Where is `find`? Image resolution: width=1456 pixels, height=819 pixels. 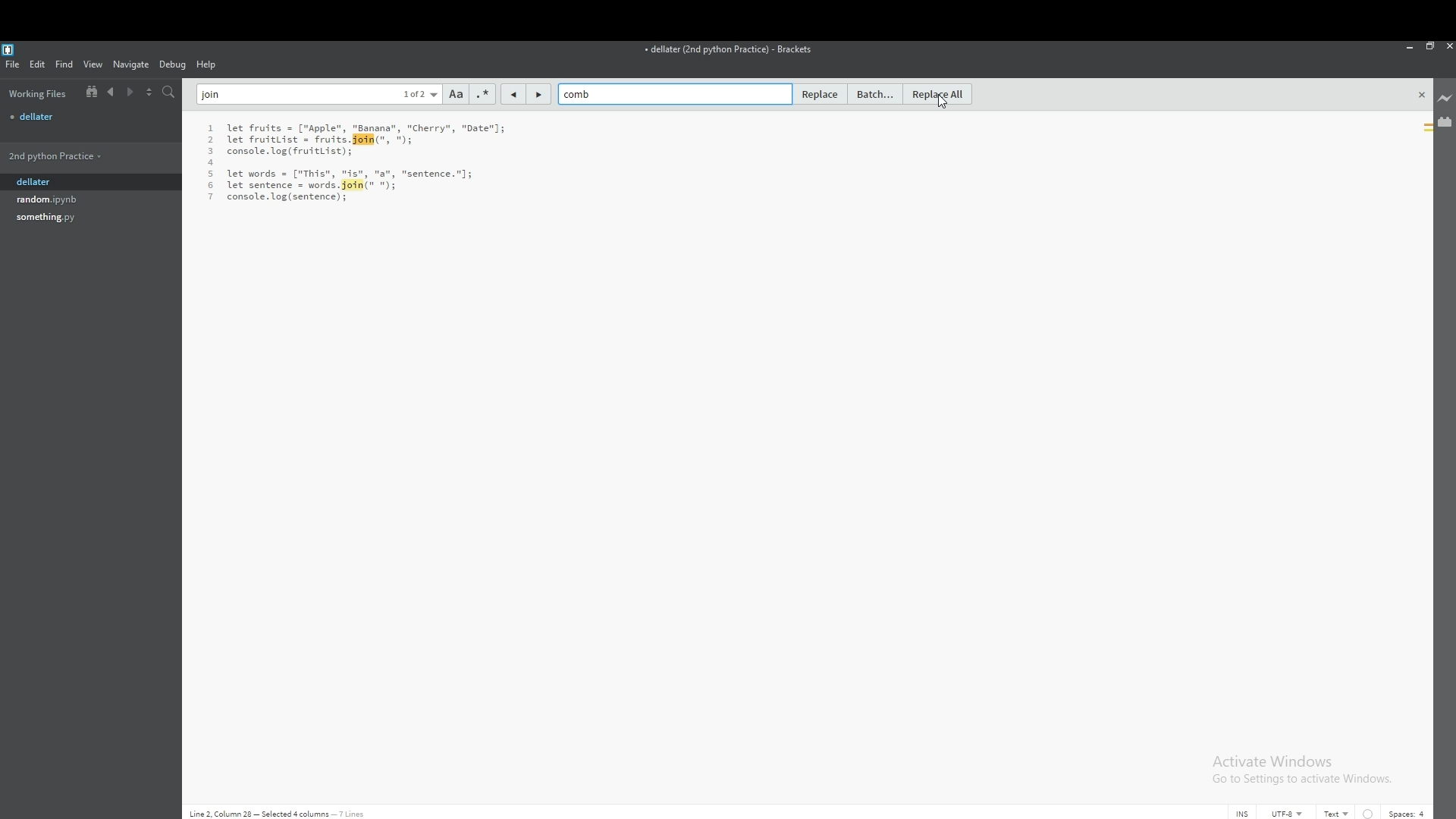 find is located at coordinates (65, 64).